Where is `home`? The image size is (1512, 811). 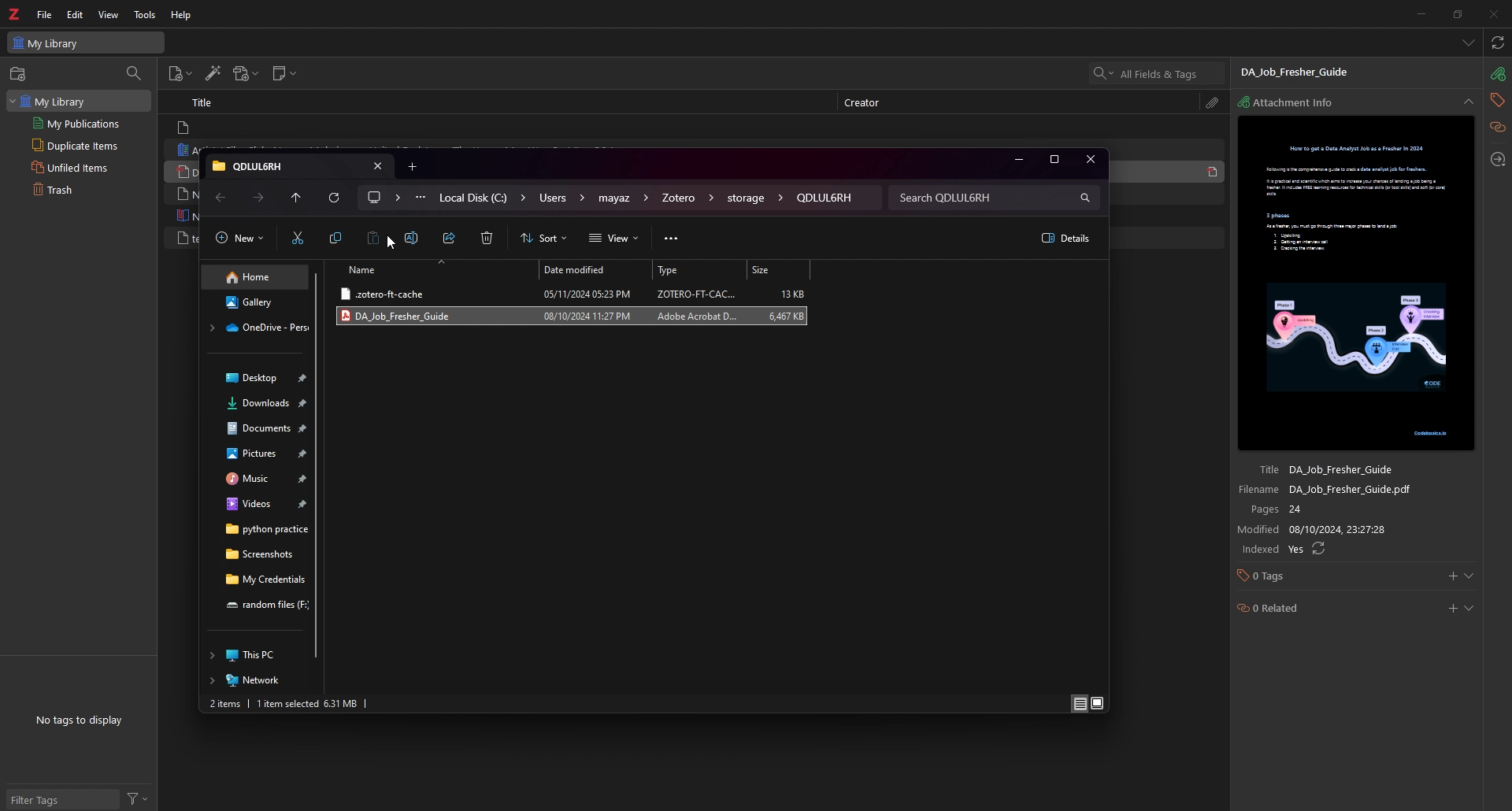 home is located at coordinates (257, 278).